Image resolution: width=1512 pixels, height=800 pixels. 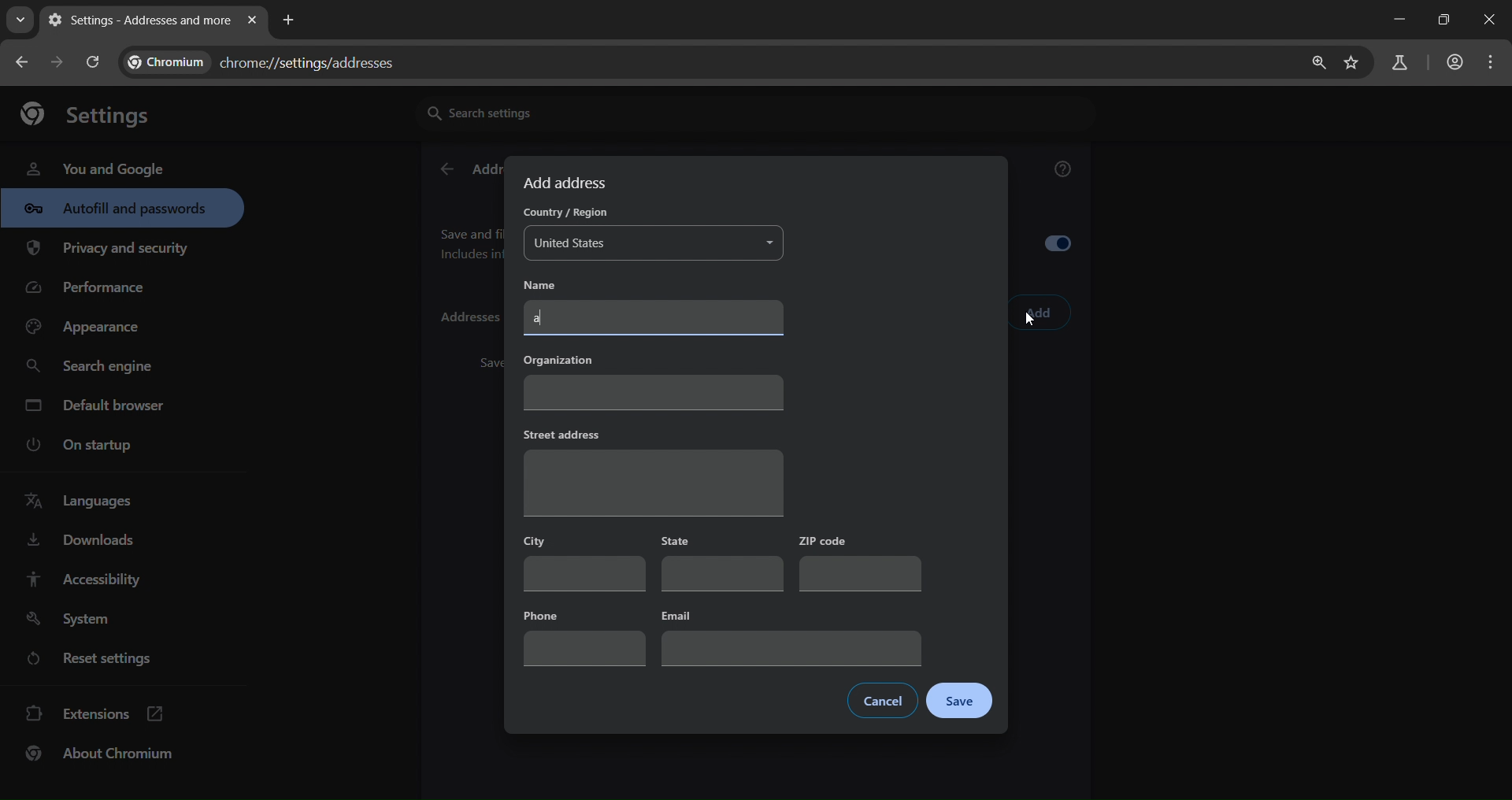 I want to click on search panel, so click(x=1398, y=64).